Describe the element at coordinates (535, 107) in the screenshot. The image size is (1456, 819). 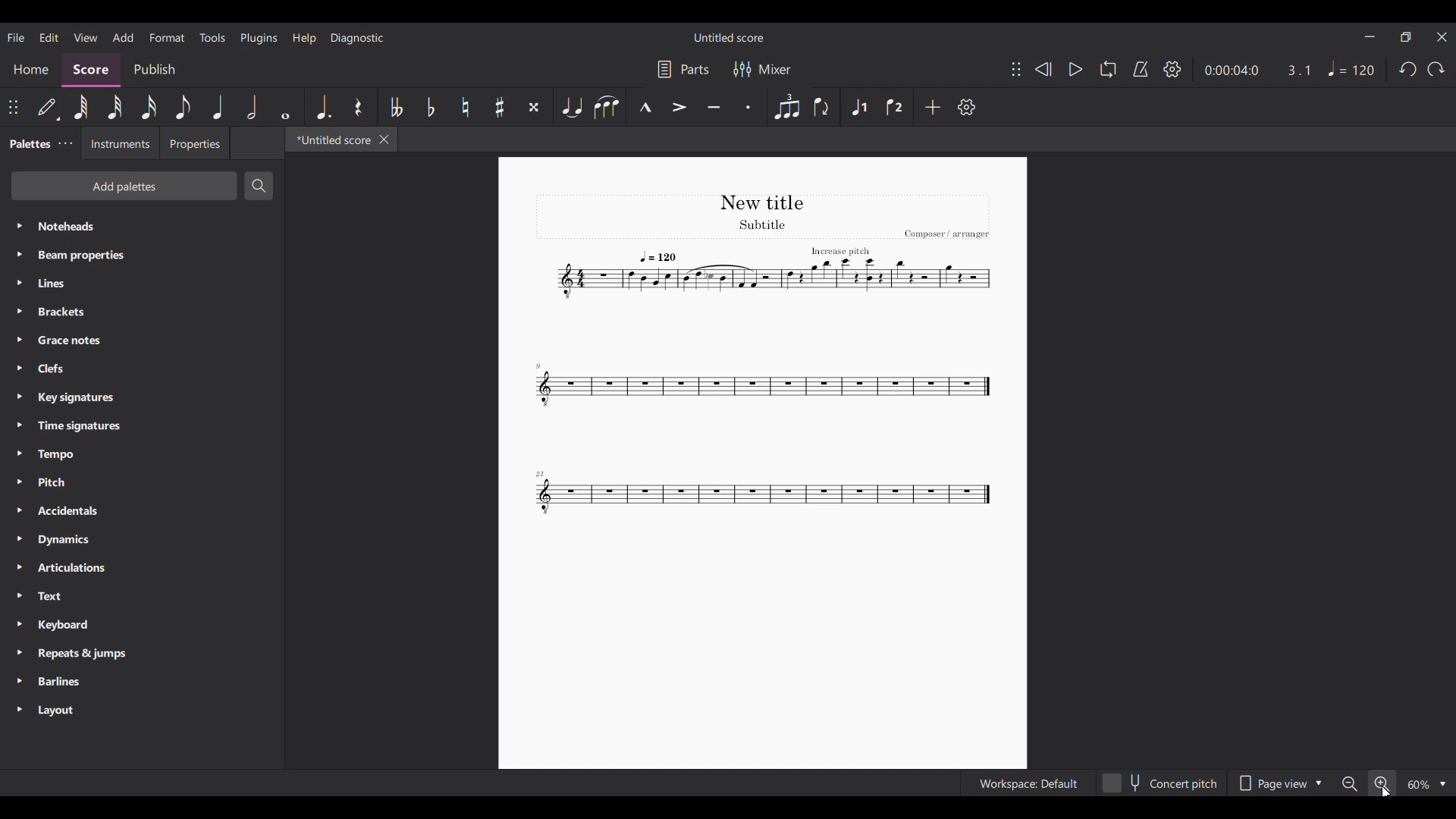
I see `Toggle double sharp` at that location.